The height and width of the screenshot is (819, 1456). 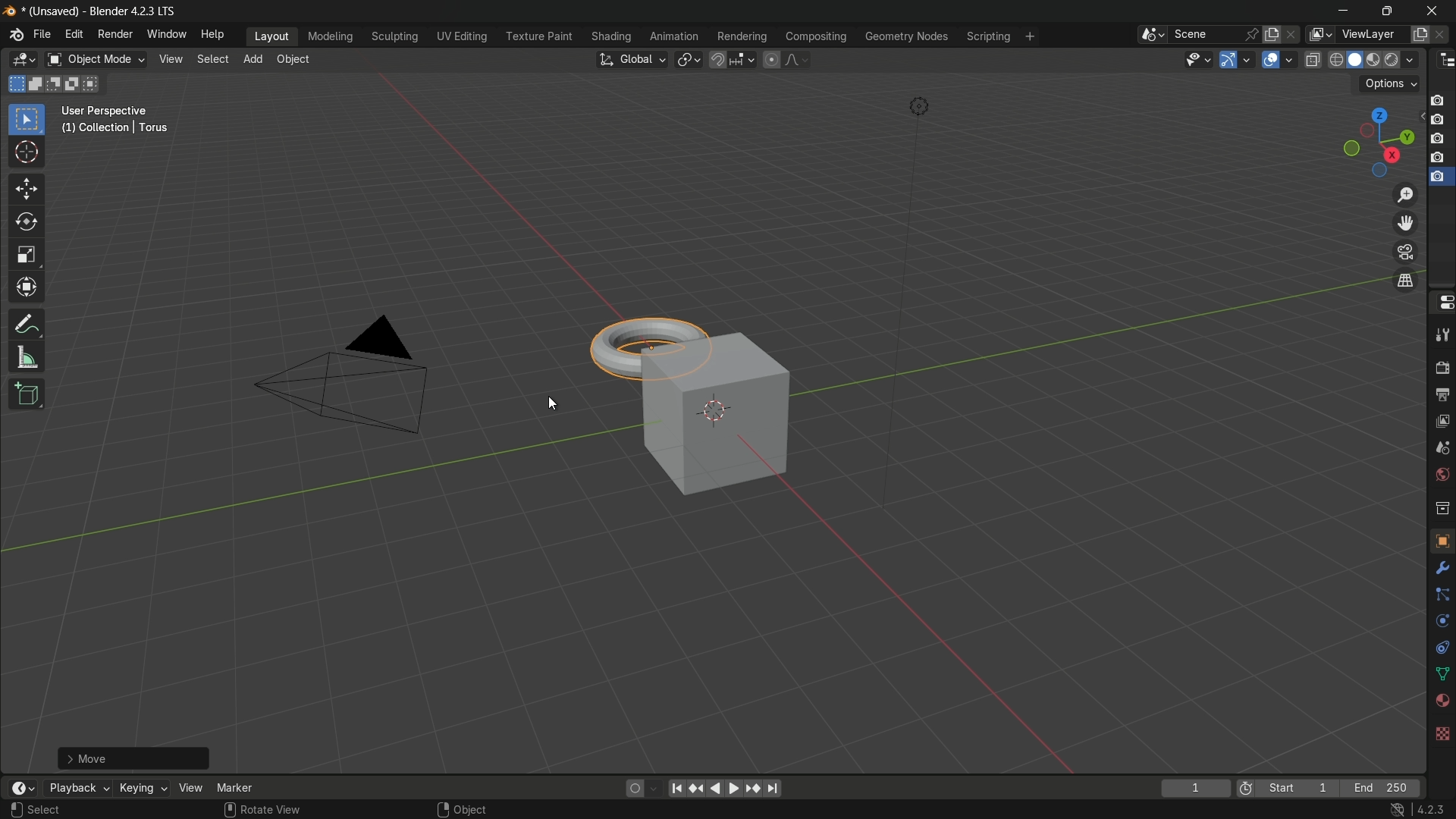 I want to click on solid, so click(x=1357, y=60).